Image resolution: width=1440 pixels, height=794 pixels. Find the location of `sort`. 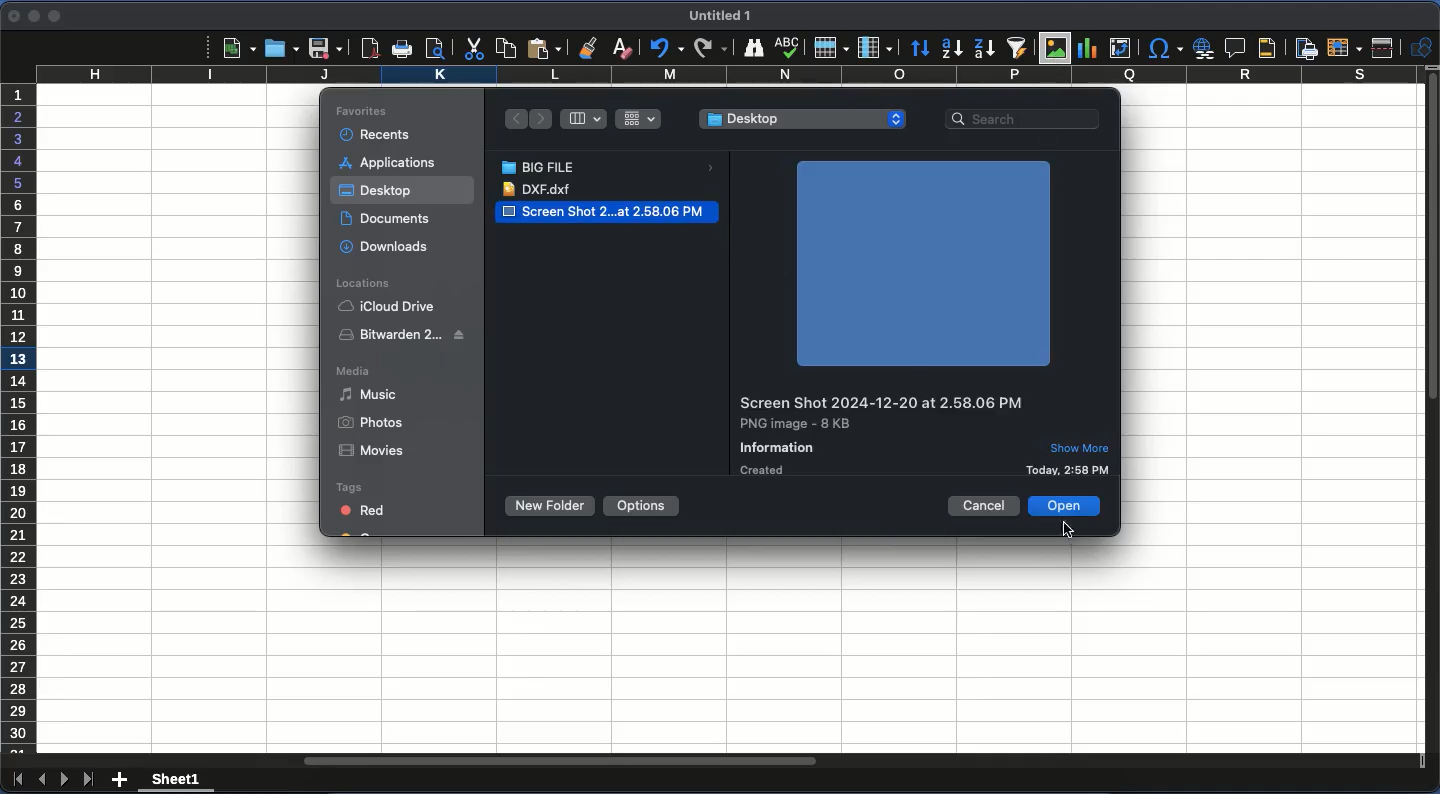

sort is located at coordinates (920, 51).